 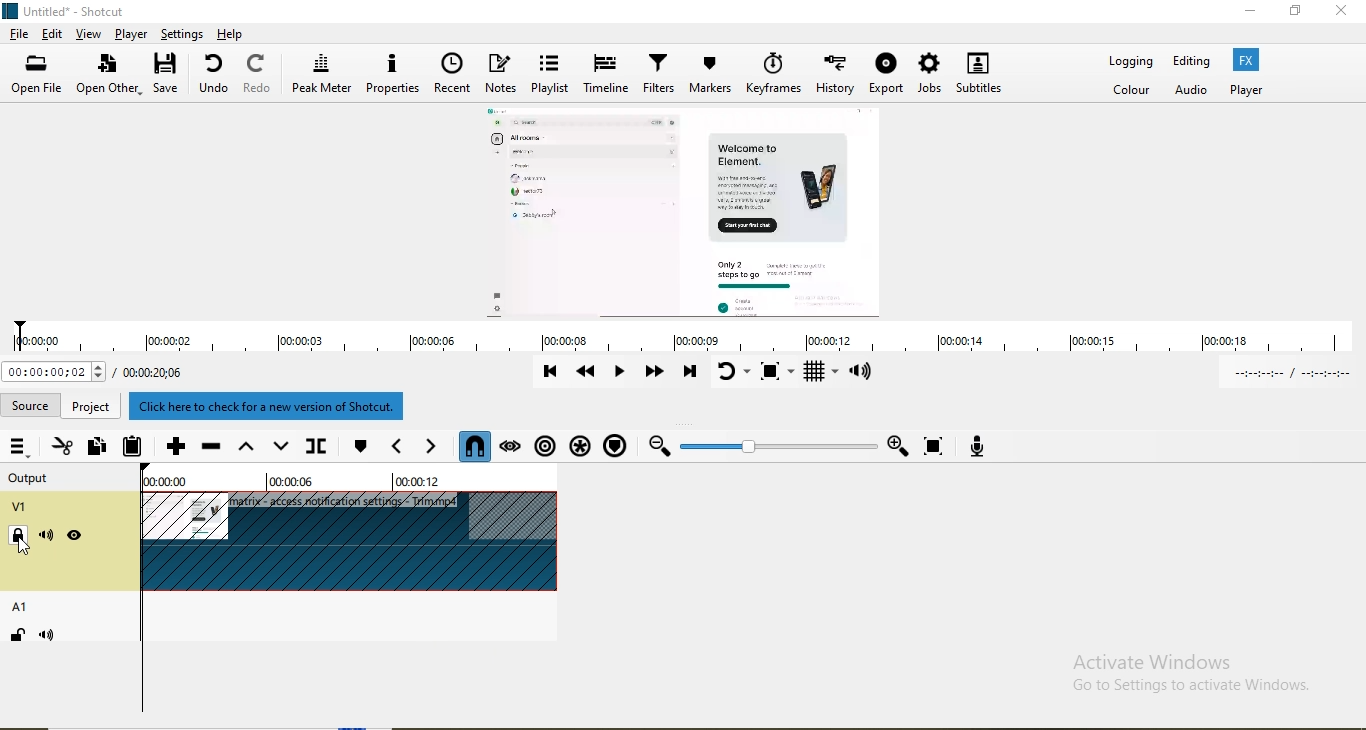 What do you see at coordinates (55, 374) in the screenshot?
I see `Current position` at bounding box center [55, 374].